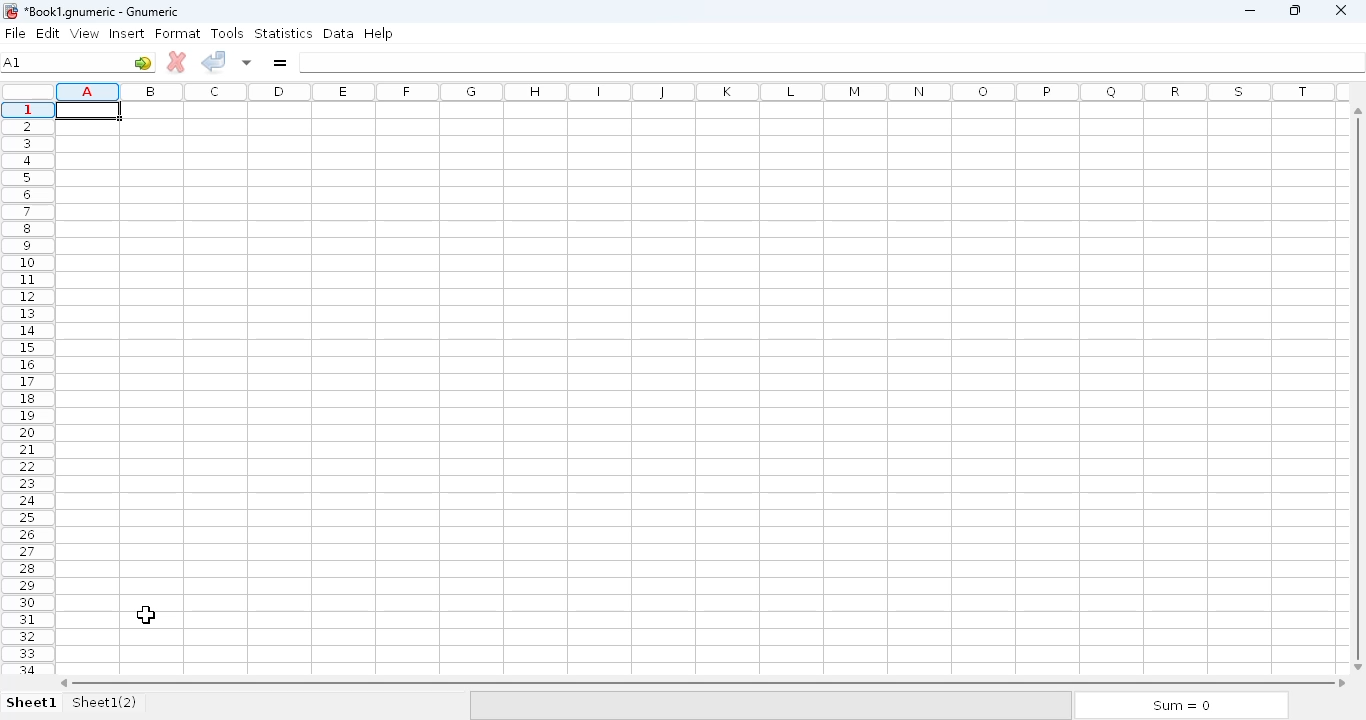 The height and width of the screenshot is (720, 1366). I want to click on horizontal scroll bar, so click(703, 682).